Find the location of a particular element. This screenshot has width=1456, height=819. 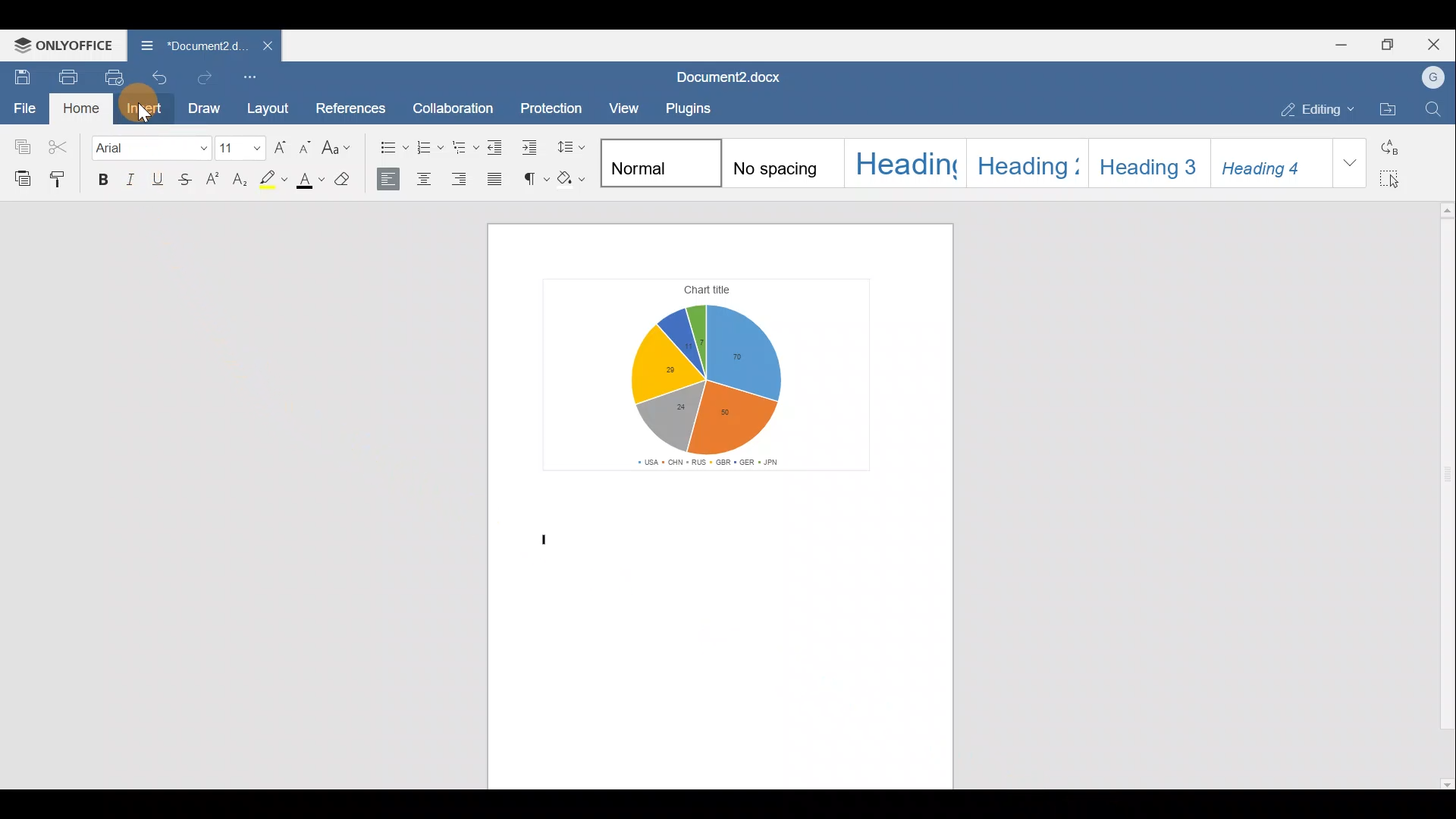

Shading is located at coordinates (575, 180).